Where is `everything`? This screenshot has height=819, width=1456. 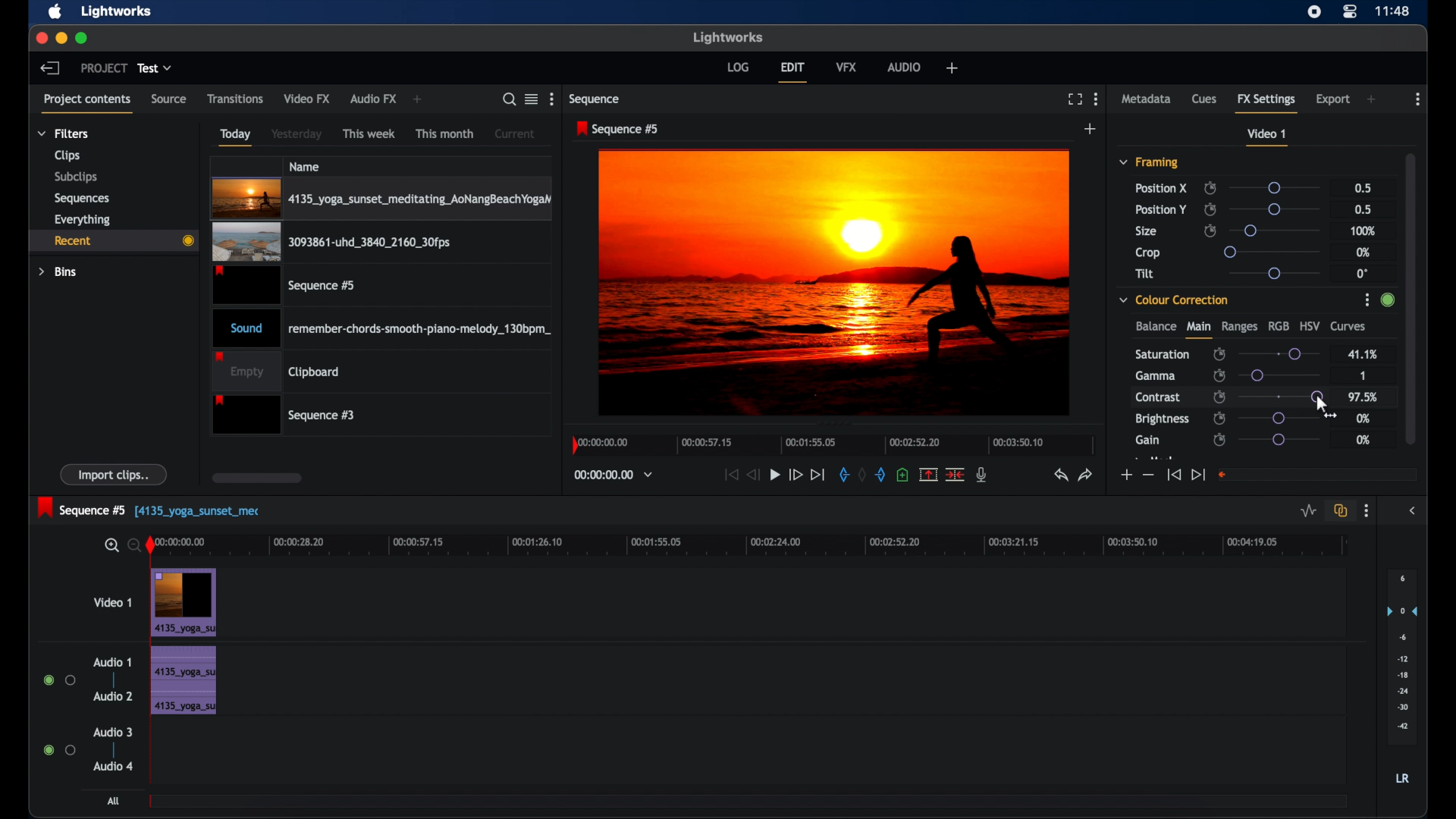 everything is located at coordinates (83, 219).